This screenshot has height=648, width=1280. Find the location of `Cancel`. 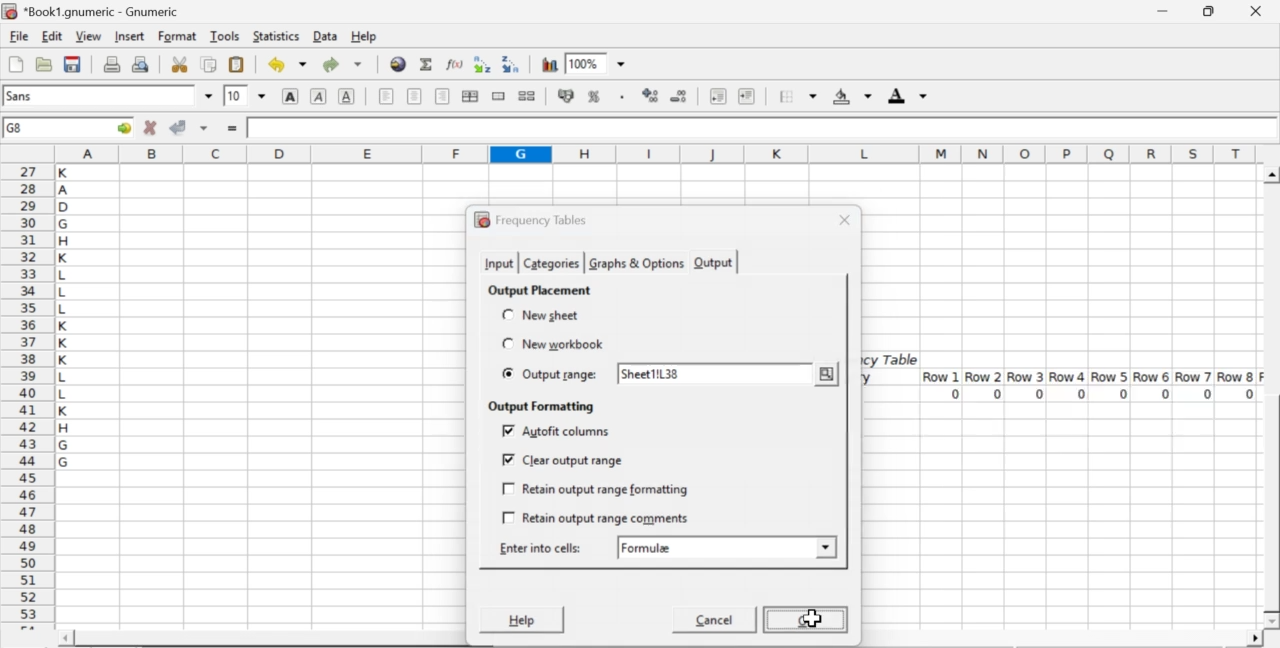

Cancel is located at coordinates (716, 623).